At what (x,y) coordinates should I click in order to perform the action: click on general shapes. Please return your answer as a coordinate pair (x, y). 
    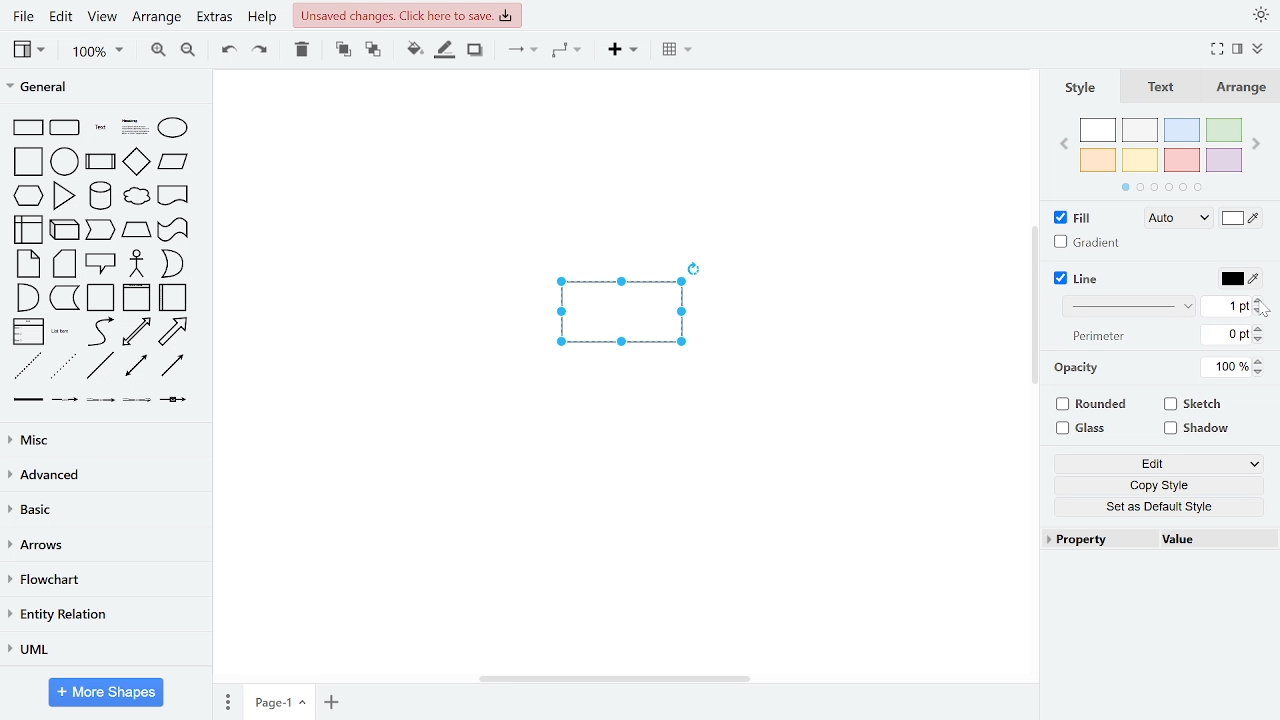
    Looking at the image, I should click on (101, 298).